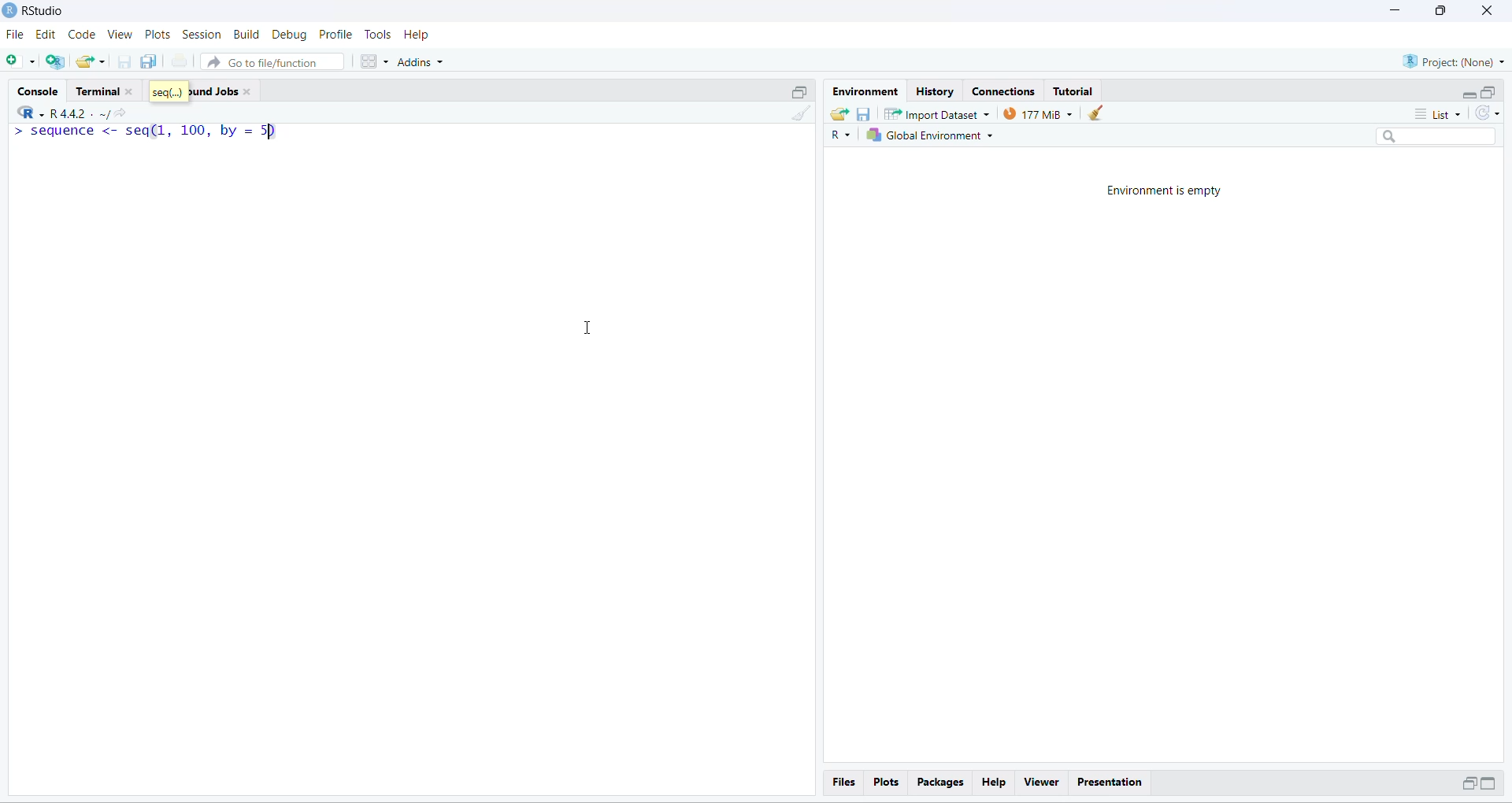  I want to click on addins, so click(423, 62).